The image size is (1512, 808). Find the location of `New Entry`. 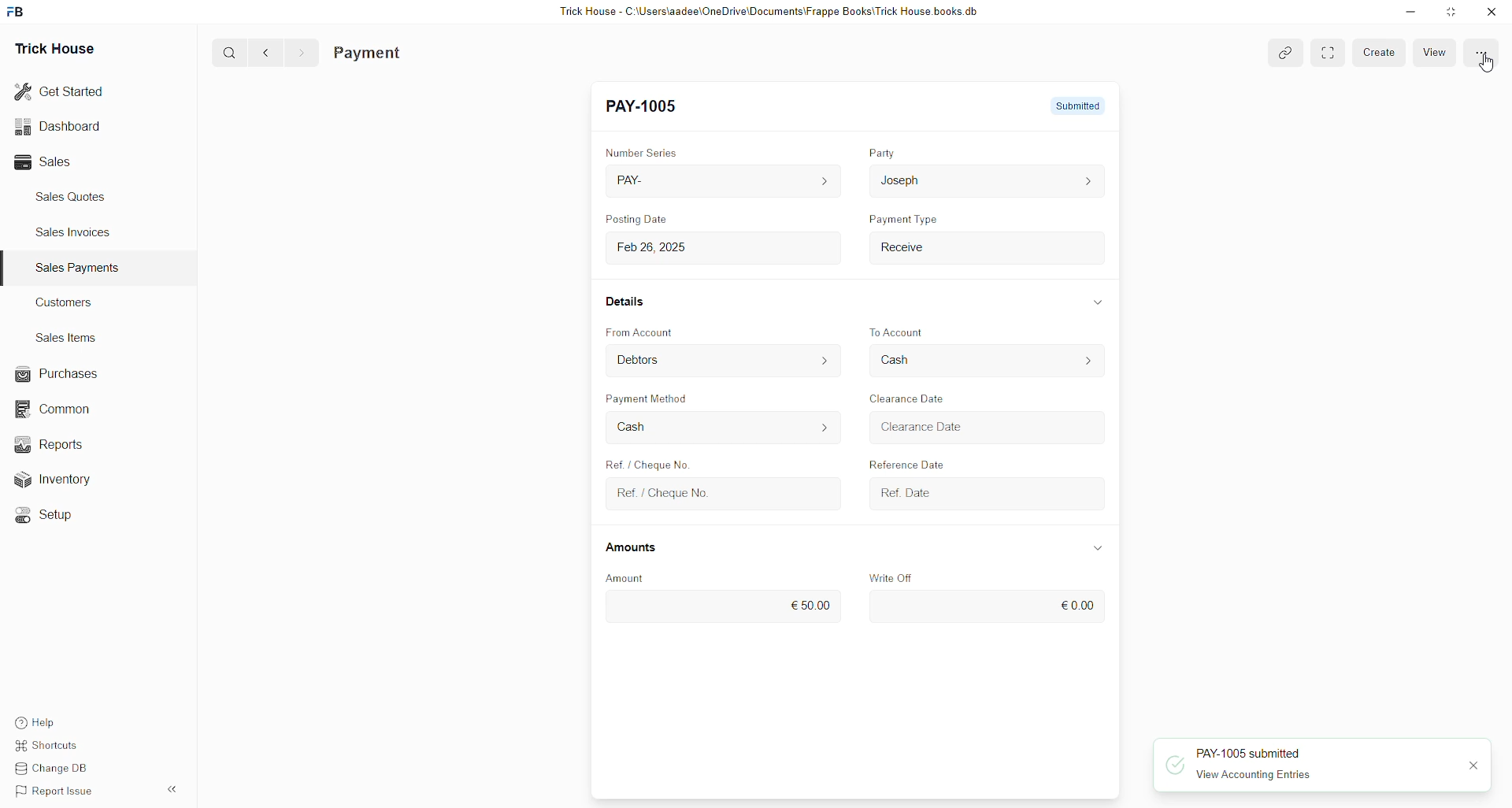

New Entry is located at coordinates (645, 106).